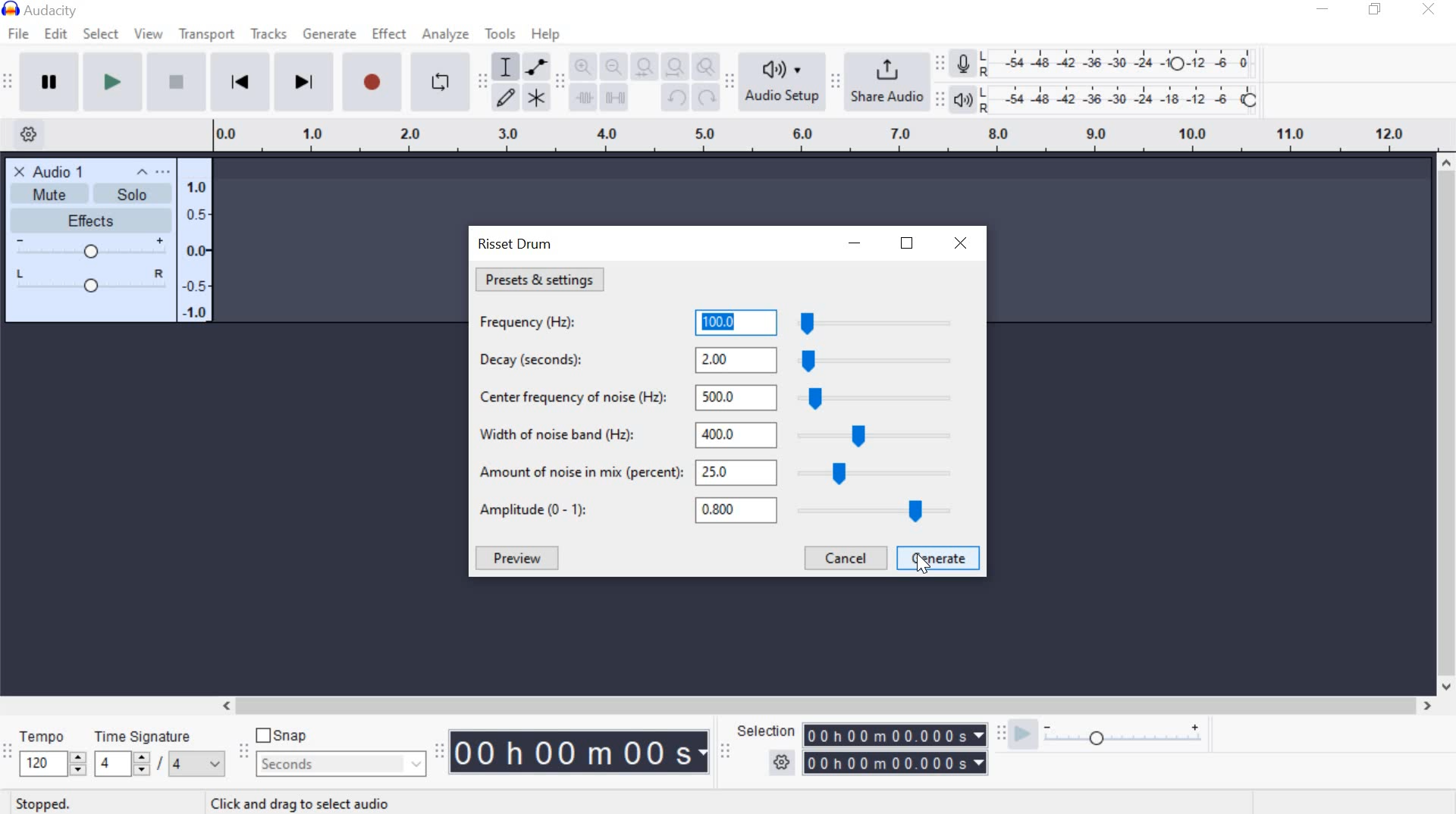  Describe the element at coordinates (506, 68) in the screenshot. I see `Selection tool` at that location.